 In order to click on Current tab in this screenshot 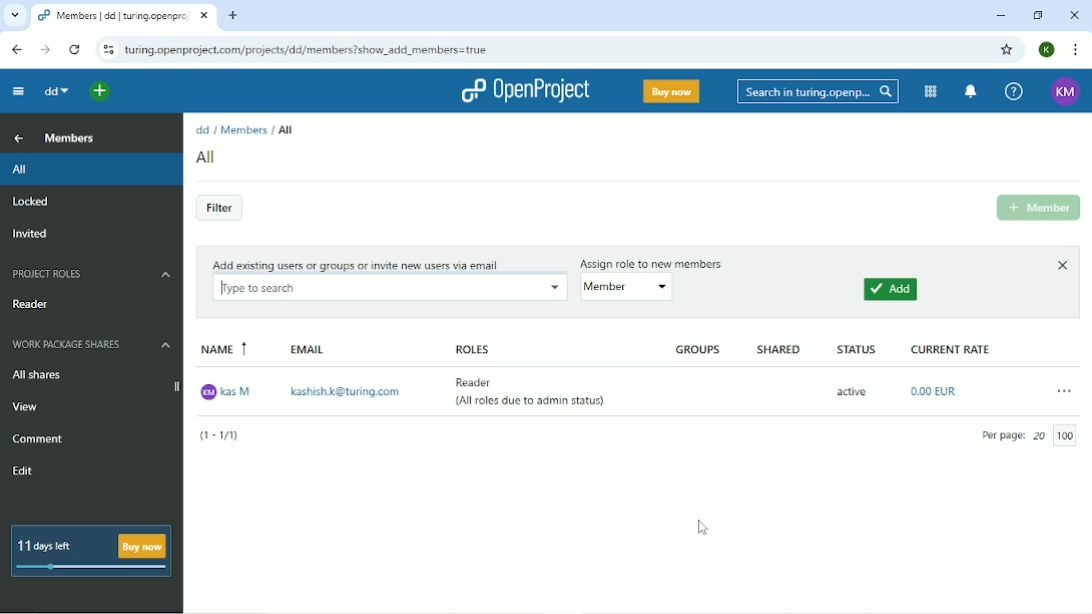, I will do `click(123, 15)`.